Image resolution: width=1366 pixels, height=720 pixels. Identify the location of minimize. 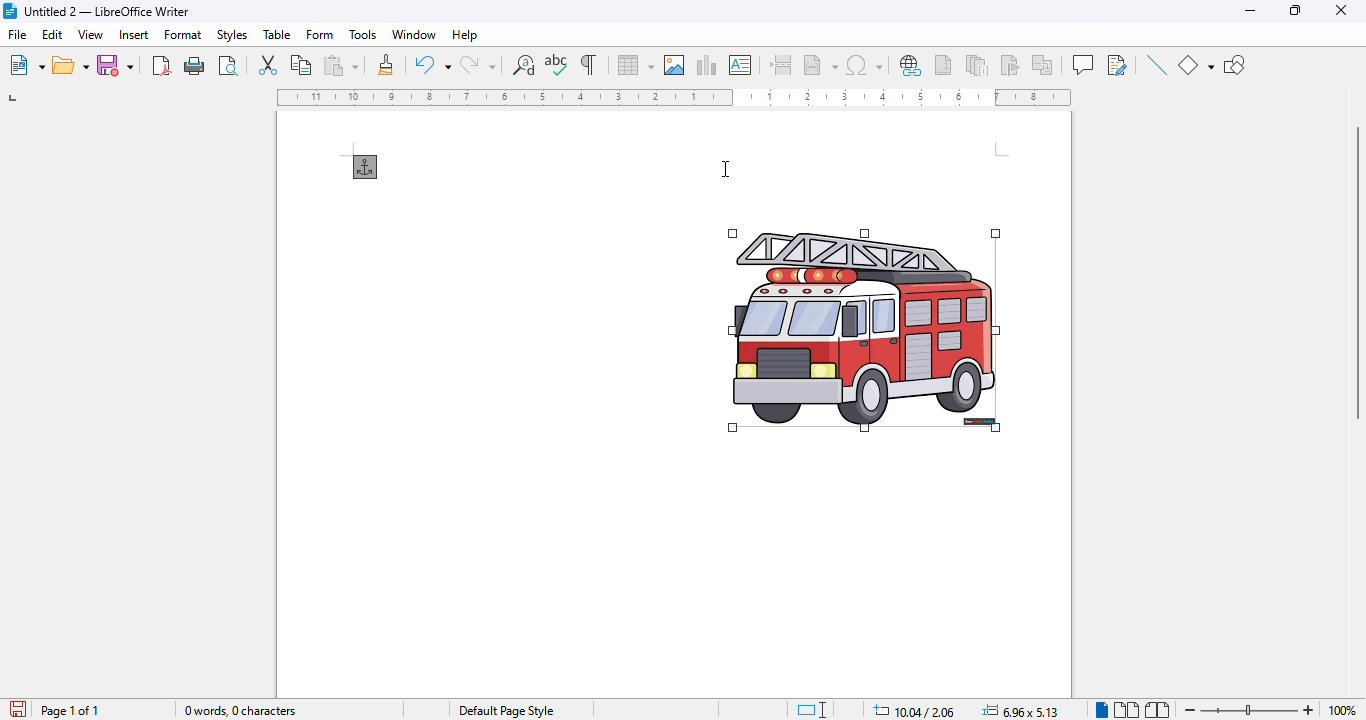
(1251, 10).